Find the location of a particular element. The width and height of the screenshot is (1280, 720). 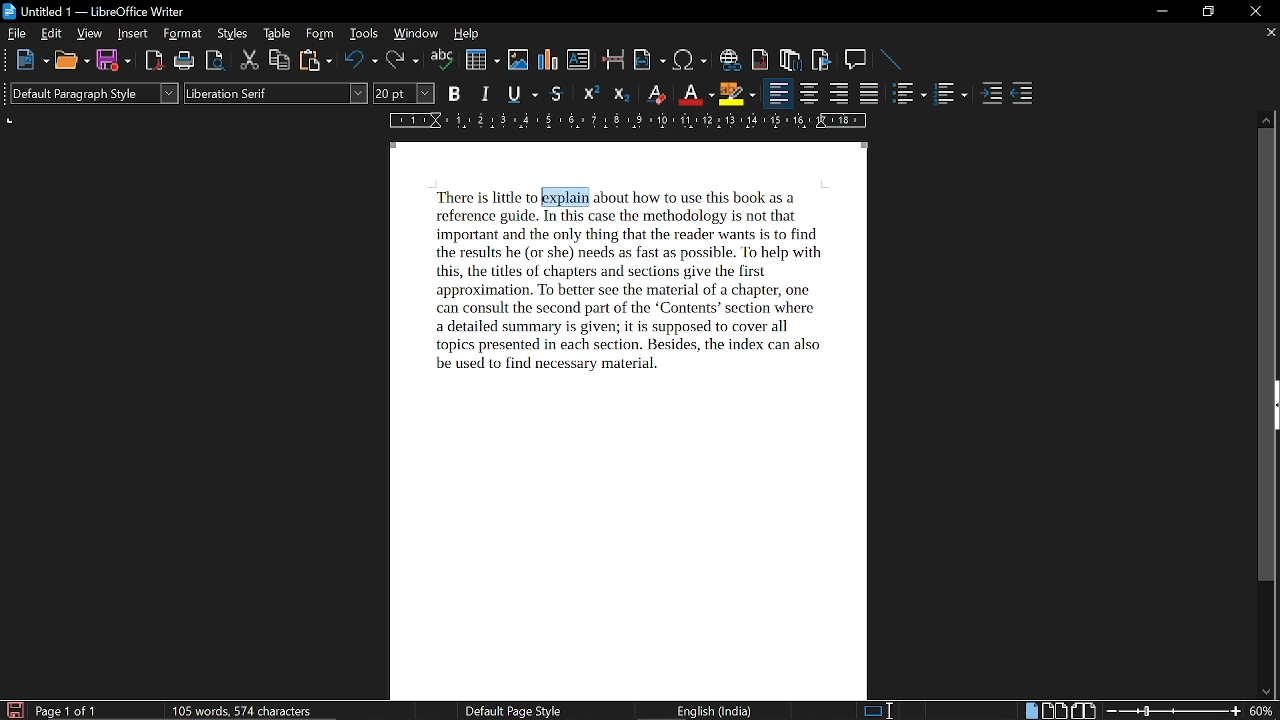

change zoom is located at coordinates (1174, 710).